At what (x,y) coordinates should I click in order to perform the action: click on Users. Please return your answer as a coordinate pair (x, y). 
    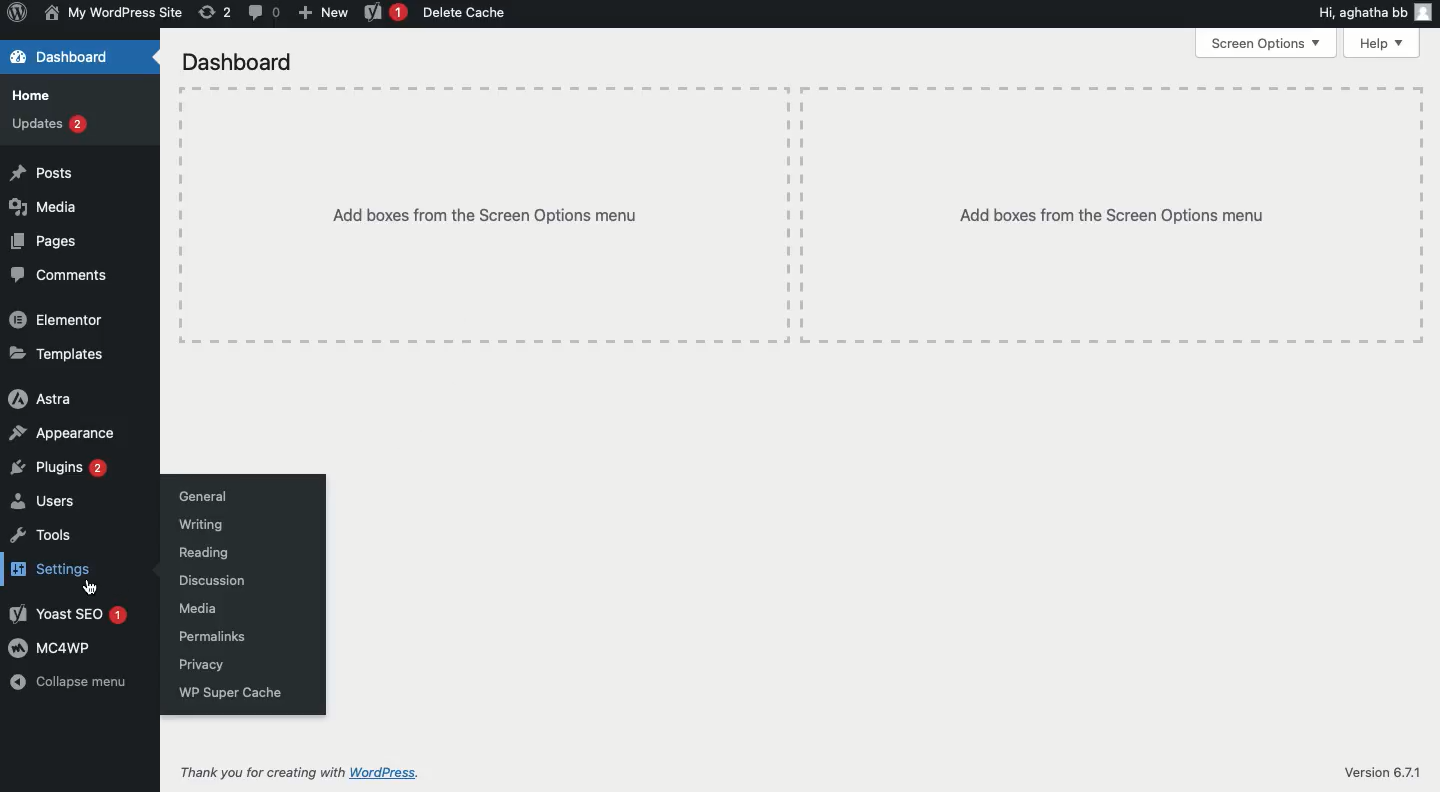
    Looking at the image, I should click on (48, 502).